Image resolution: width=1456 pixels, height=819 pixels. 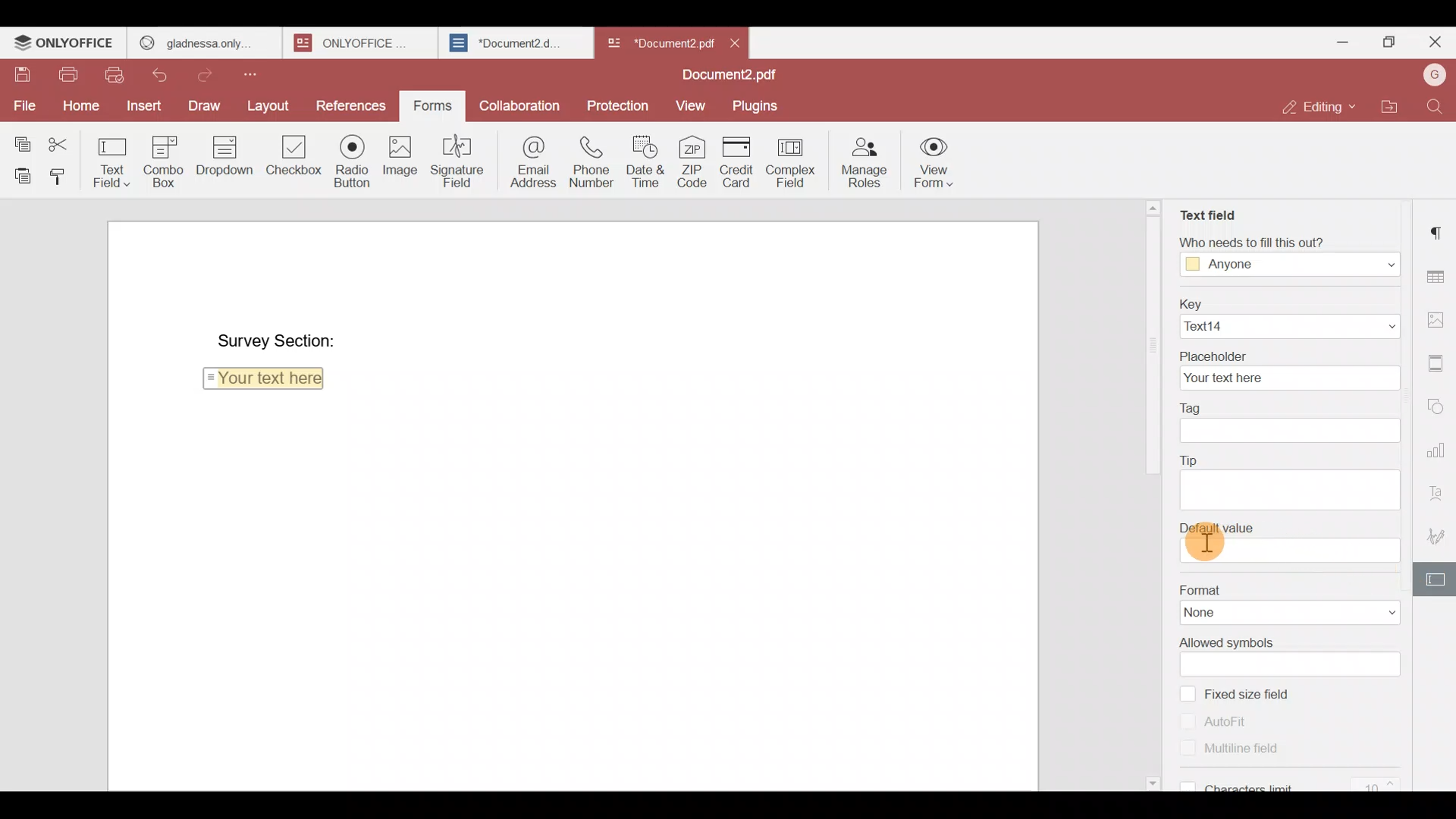 I want to click on Find, so click(x=1439, y=107).